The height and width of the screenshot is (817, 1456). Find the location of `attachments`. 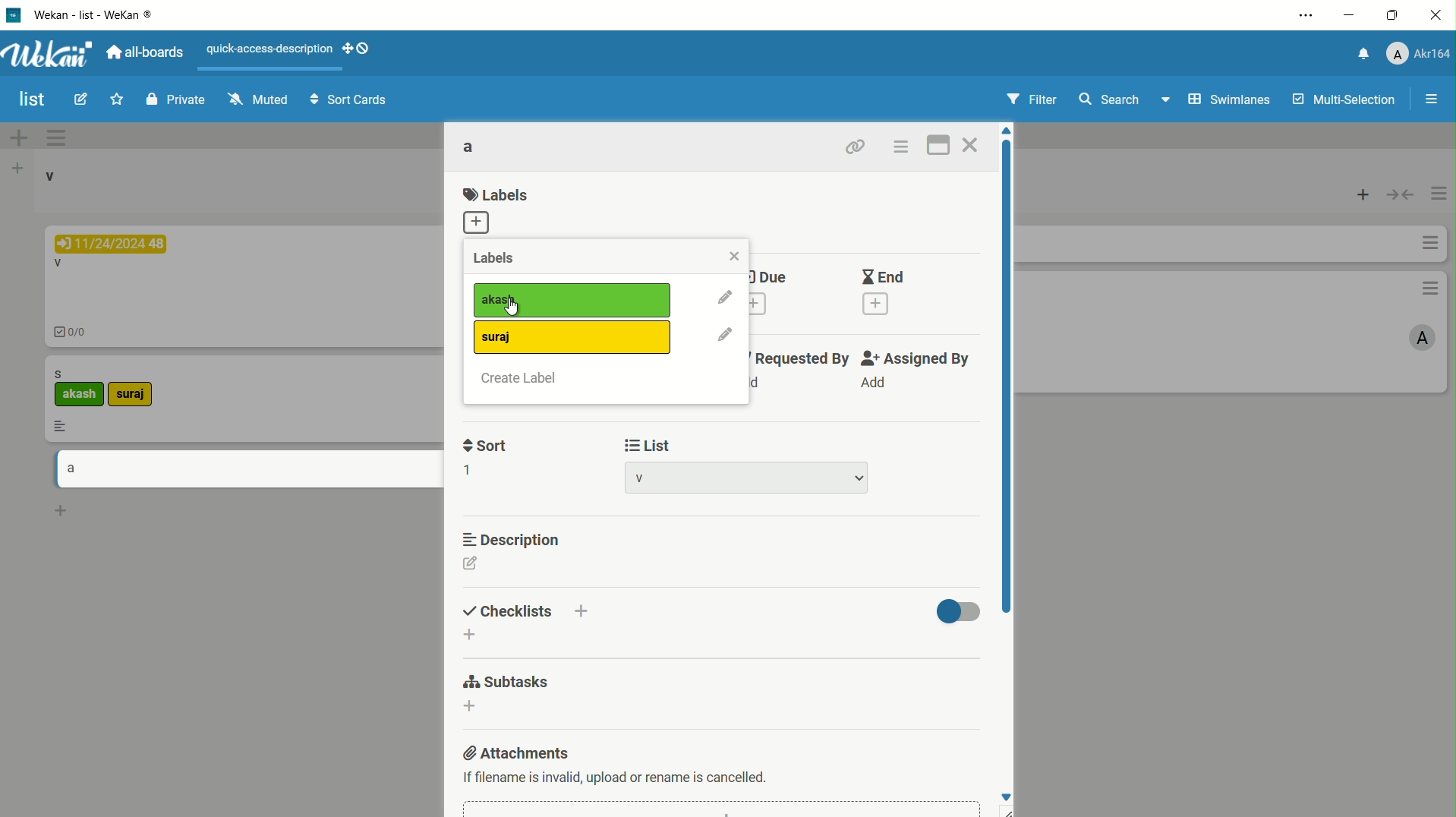

attachments is located at coordinates (519, 752).